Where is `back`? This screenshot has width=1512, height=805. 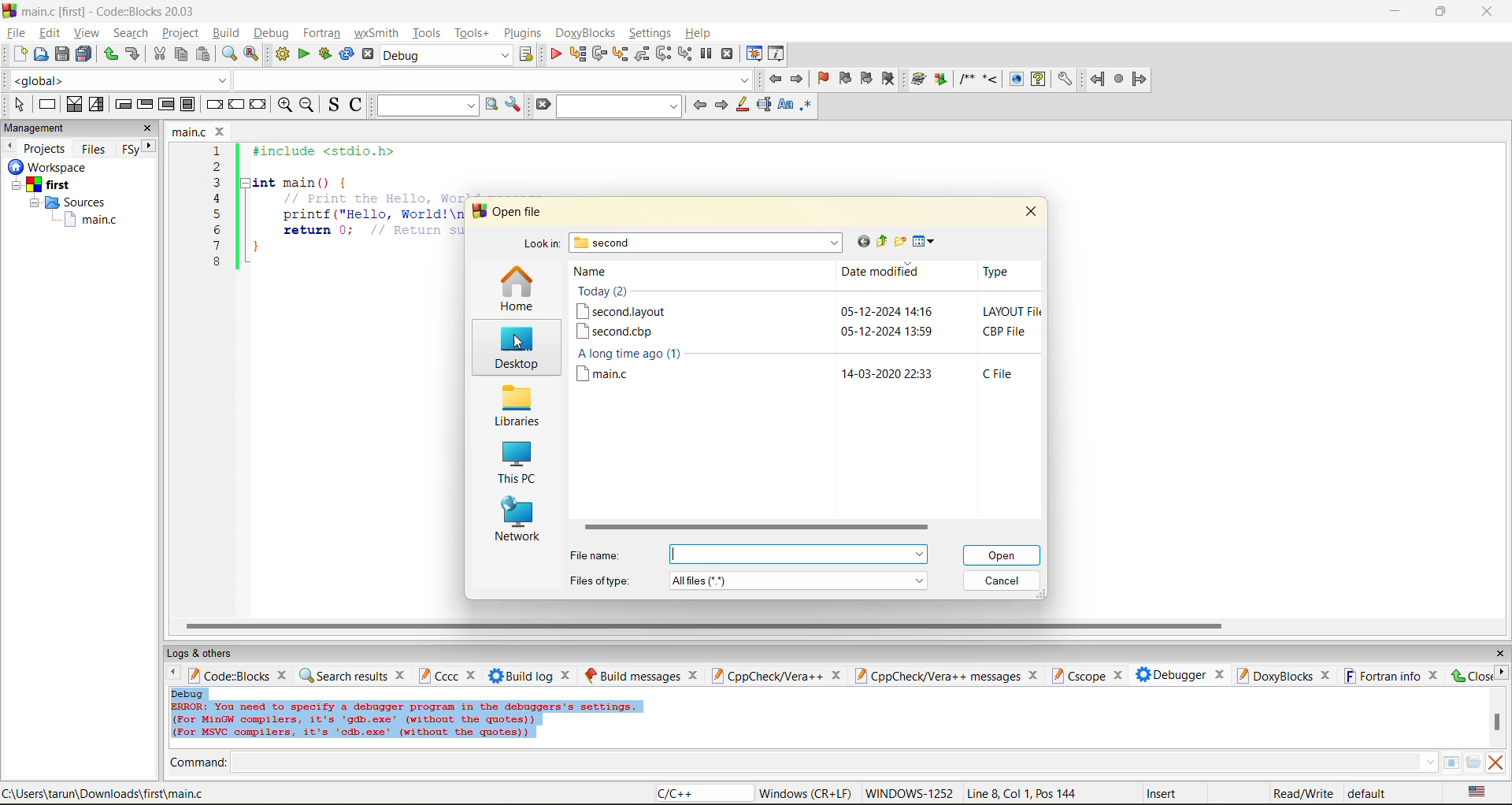
back is located at coordinates (1099, 79).